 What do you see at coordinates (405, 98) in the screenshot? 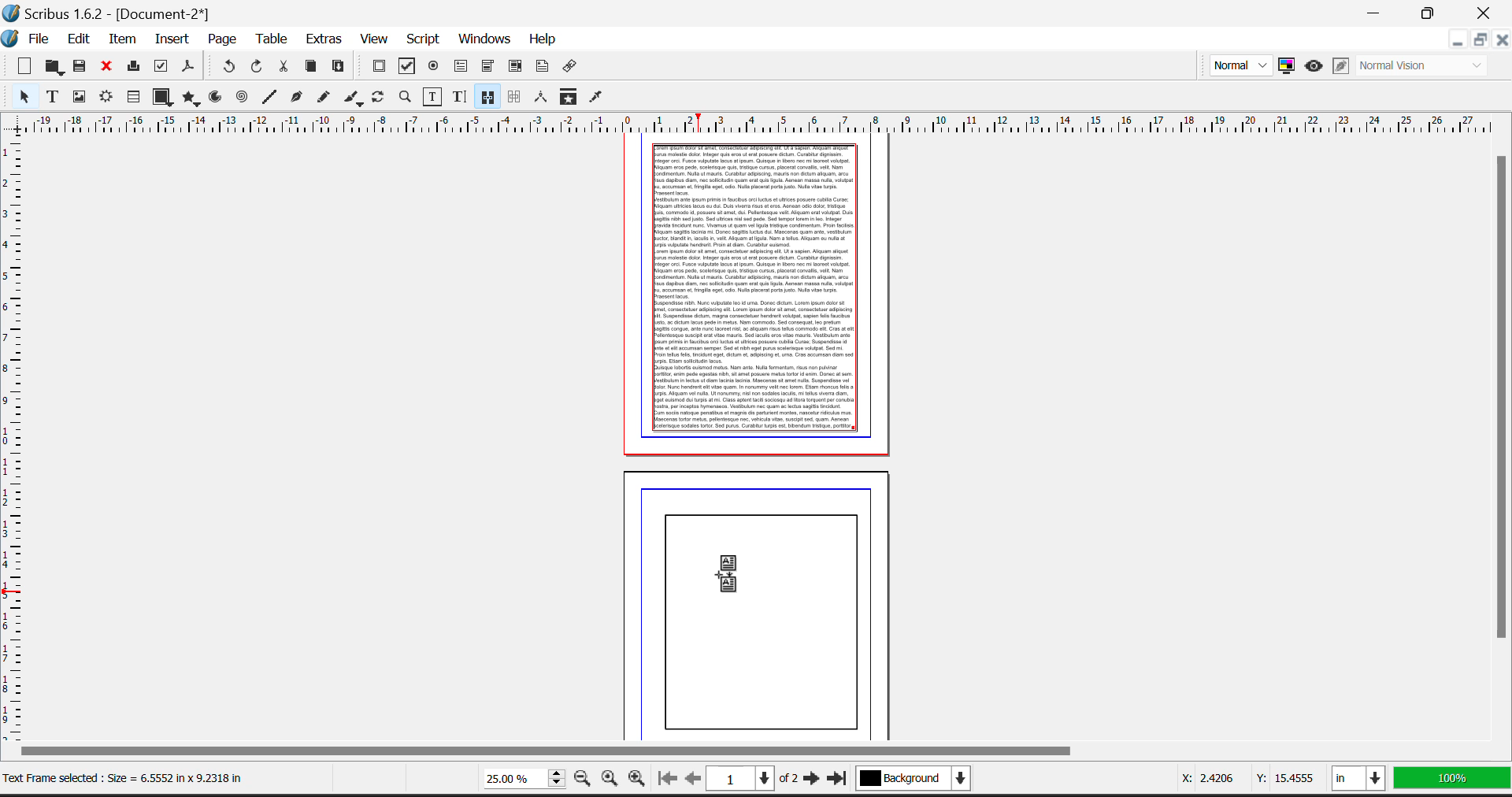
I see `Zoom ` at bounding box center [405, 98].